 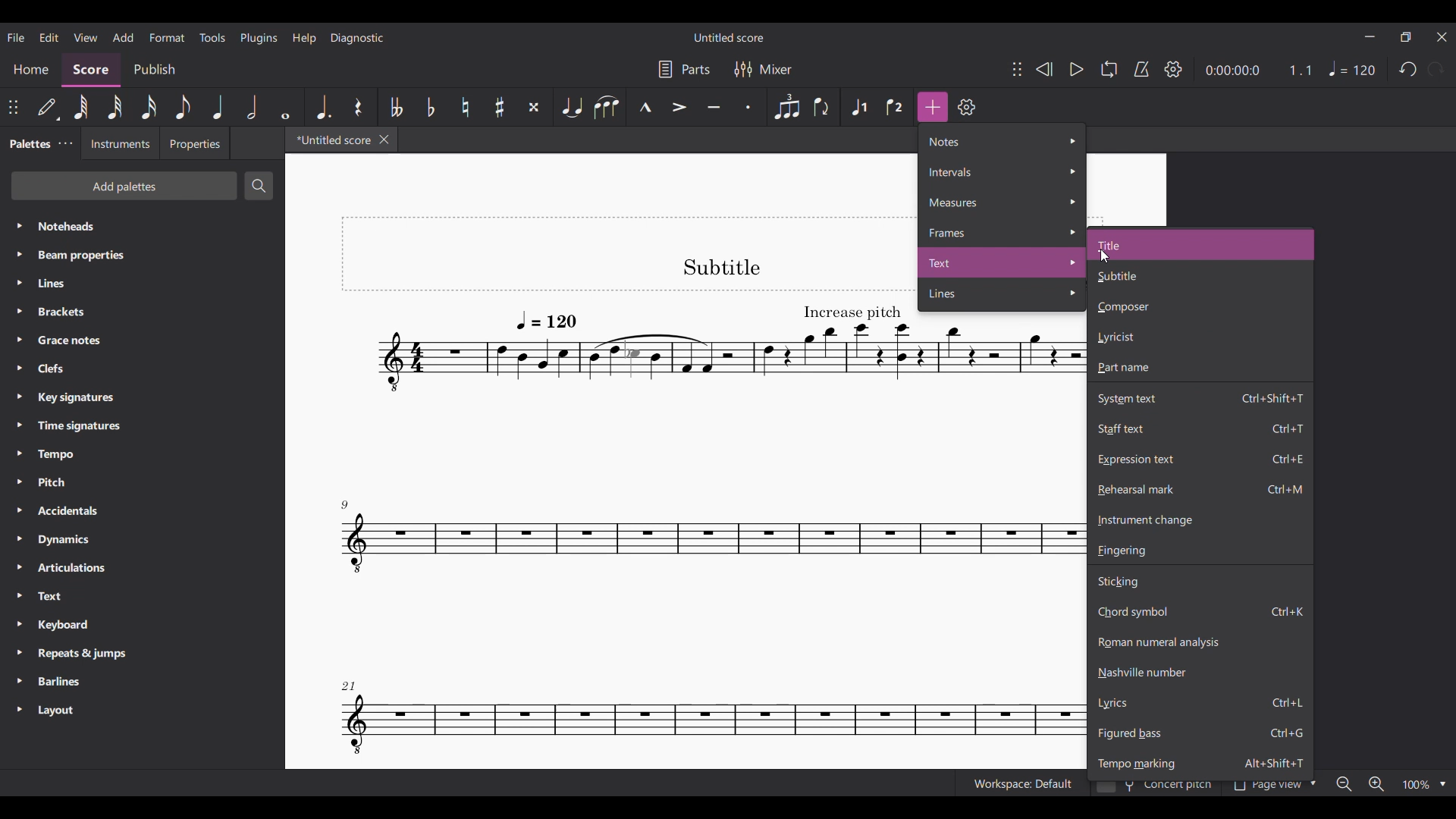 I want to click on Close tab, so click(x=384, y=139).